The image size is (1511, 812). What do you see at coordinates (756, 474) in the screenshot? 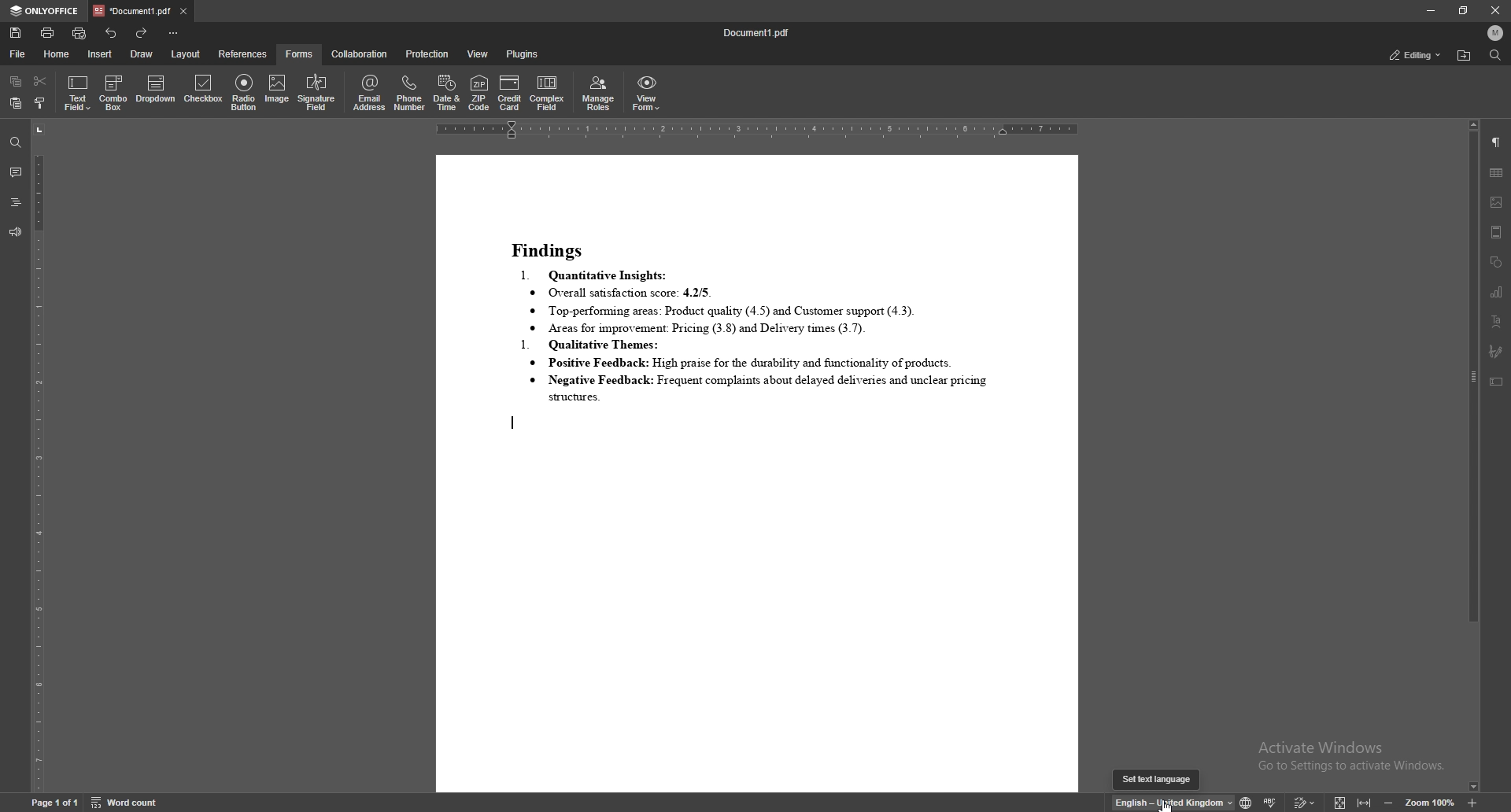
I see `document` at bounding box center [756, 474].